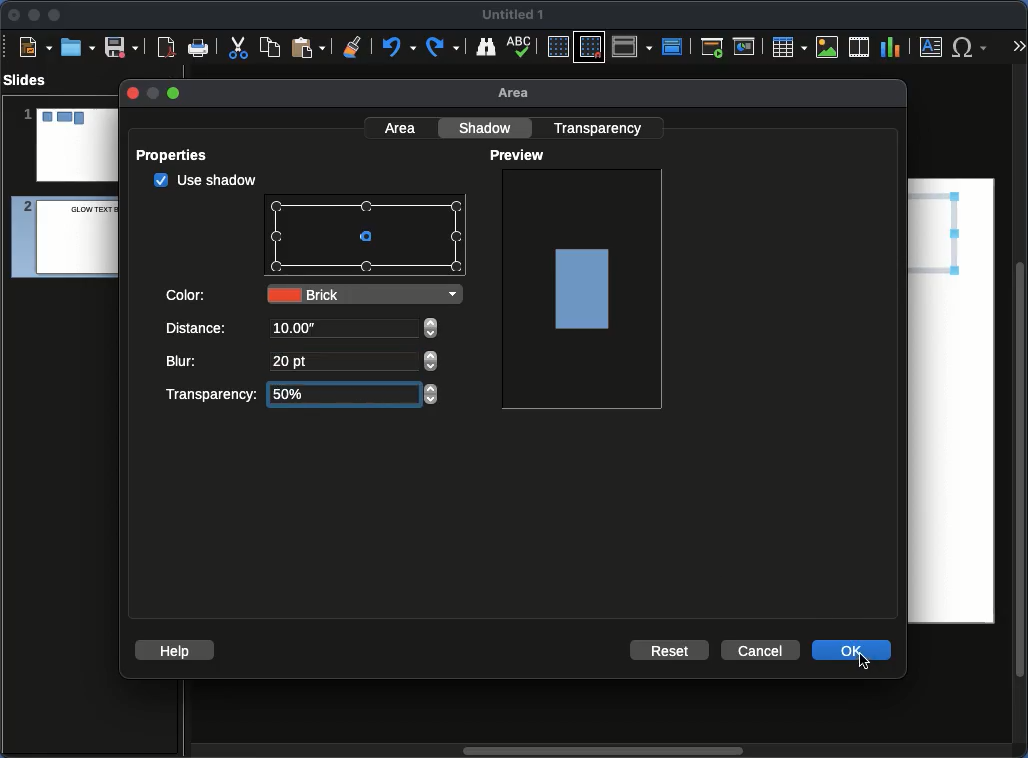 The width and height of the screenshot is (1028, 758). What do you see at coordinates (308, 46) in the screenshot?
I see `Paste` at bounding box center [308, 46].